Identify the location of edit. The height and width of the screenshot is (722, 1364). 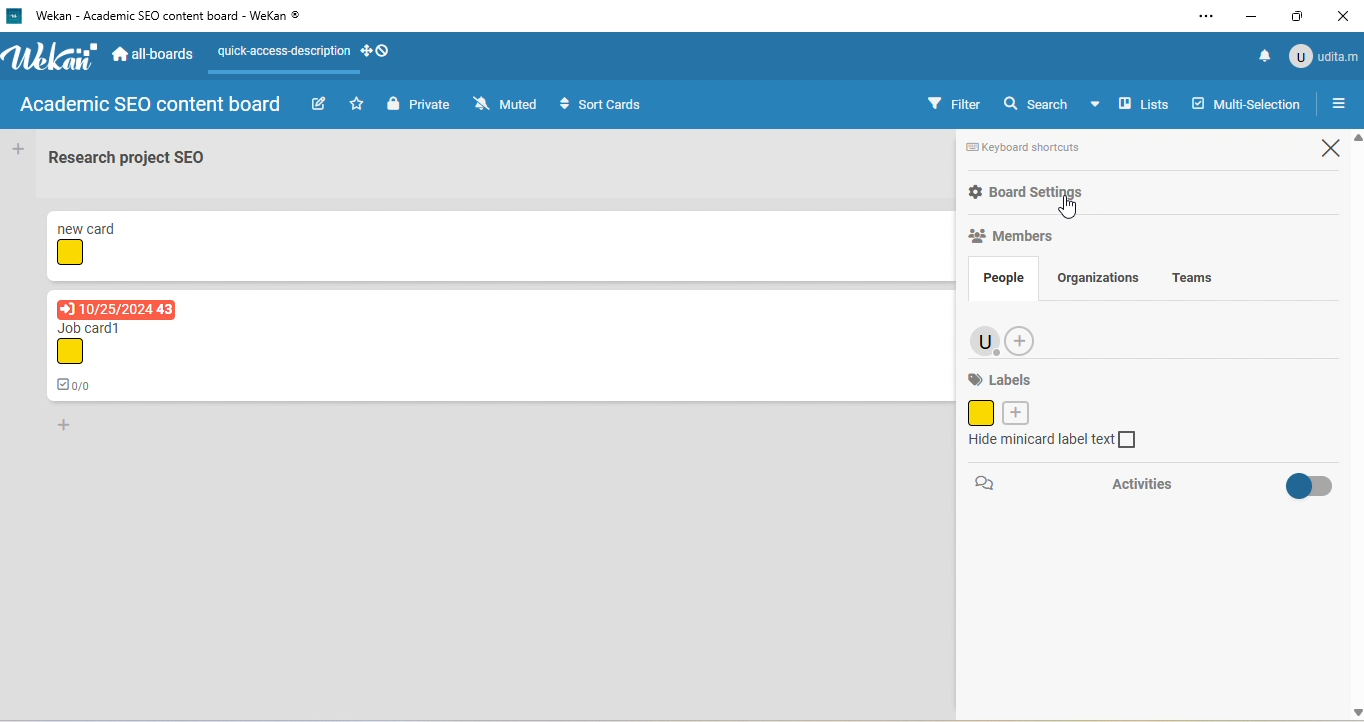
(319, 104).